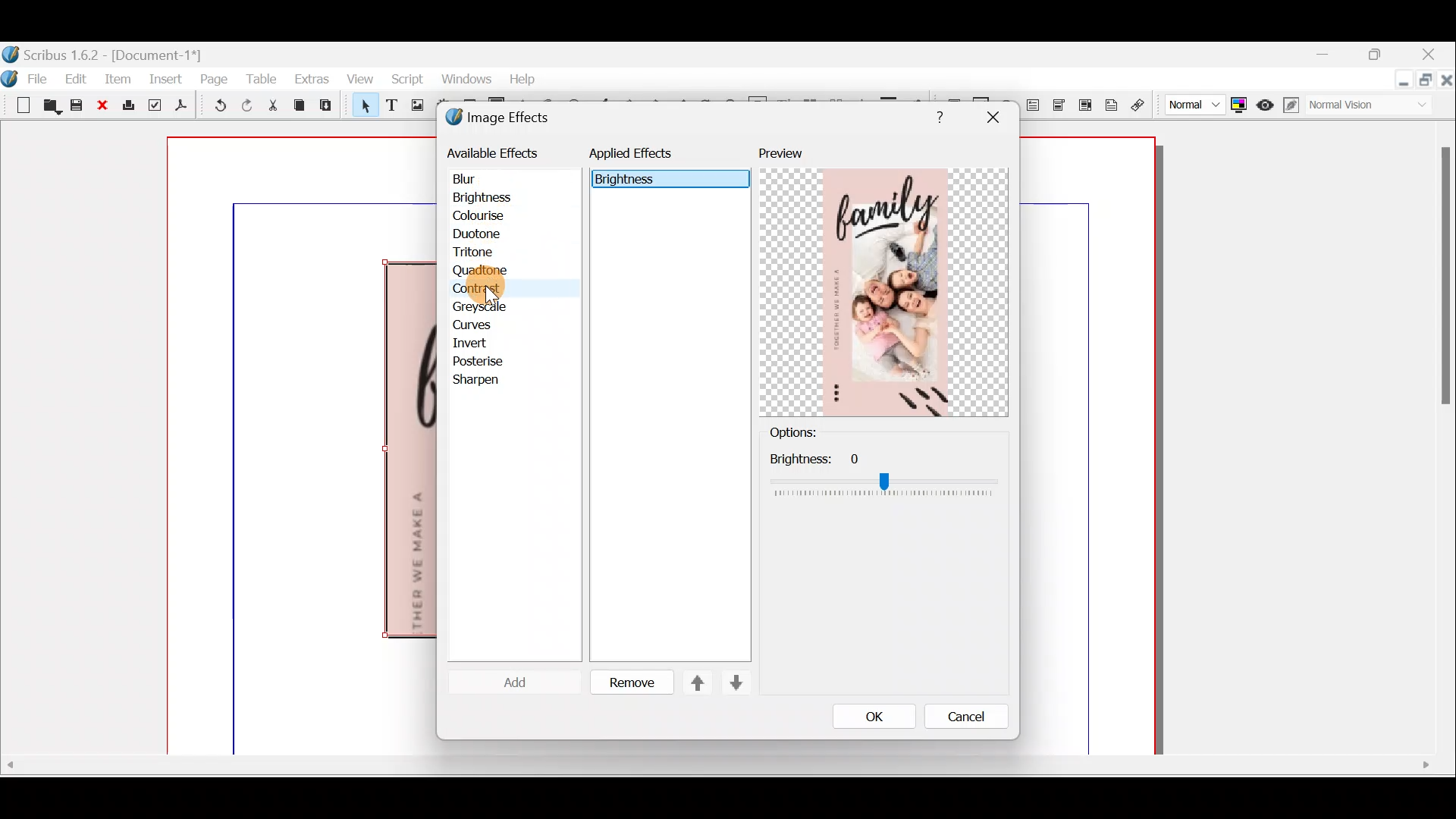  What do you see at coordinates (1060, 105) in the screenshot?
I see `PDF combo box` at bounding box center [1060, 105].